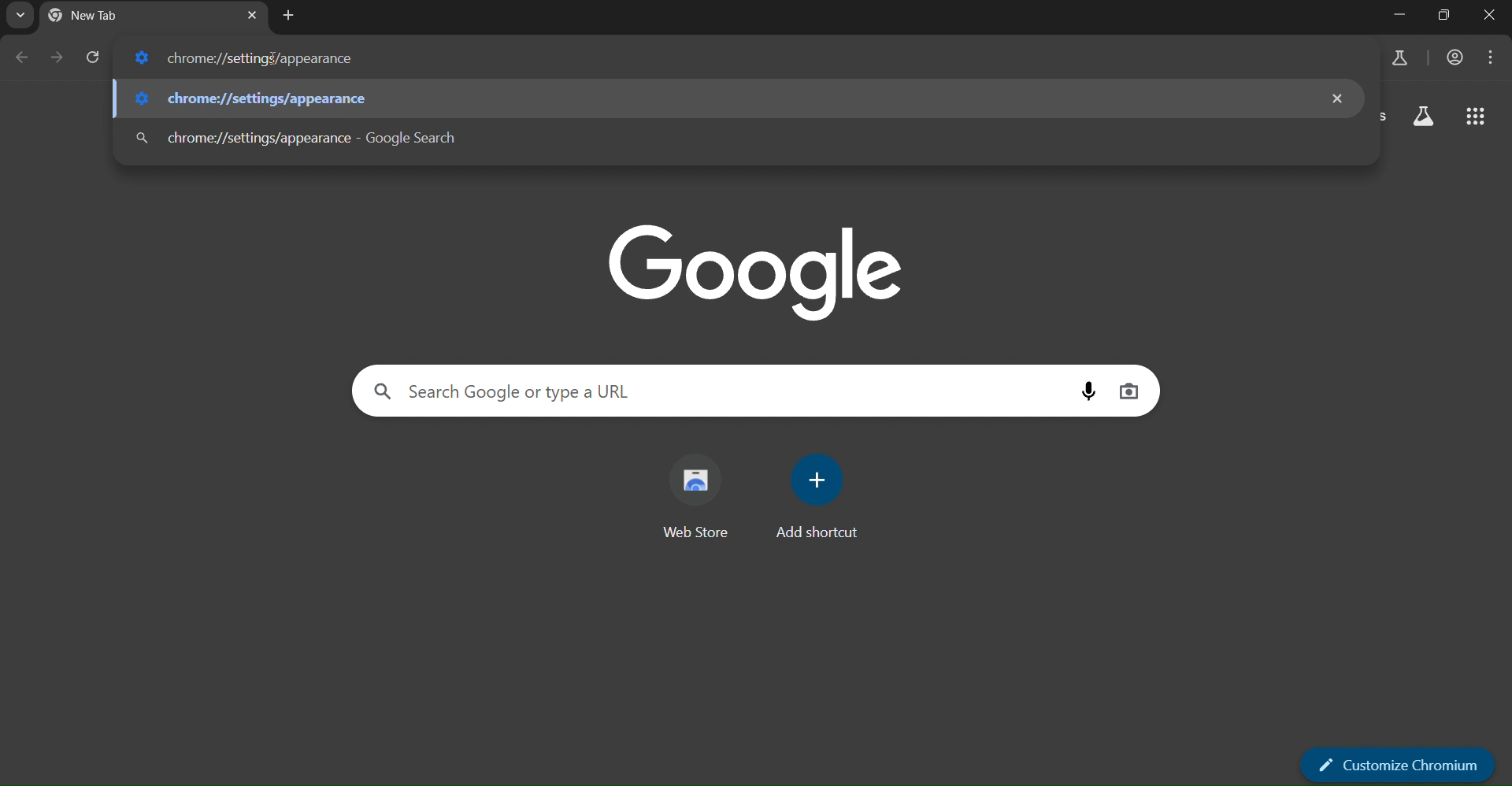 This screenshot has height=786, width=1512. Describe the element at coordinates (1444, 14) in the screenshot. I see `restore down` at that location.